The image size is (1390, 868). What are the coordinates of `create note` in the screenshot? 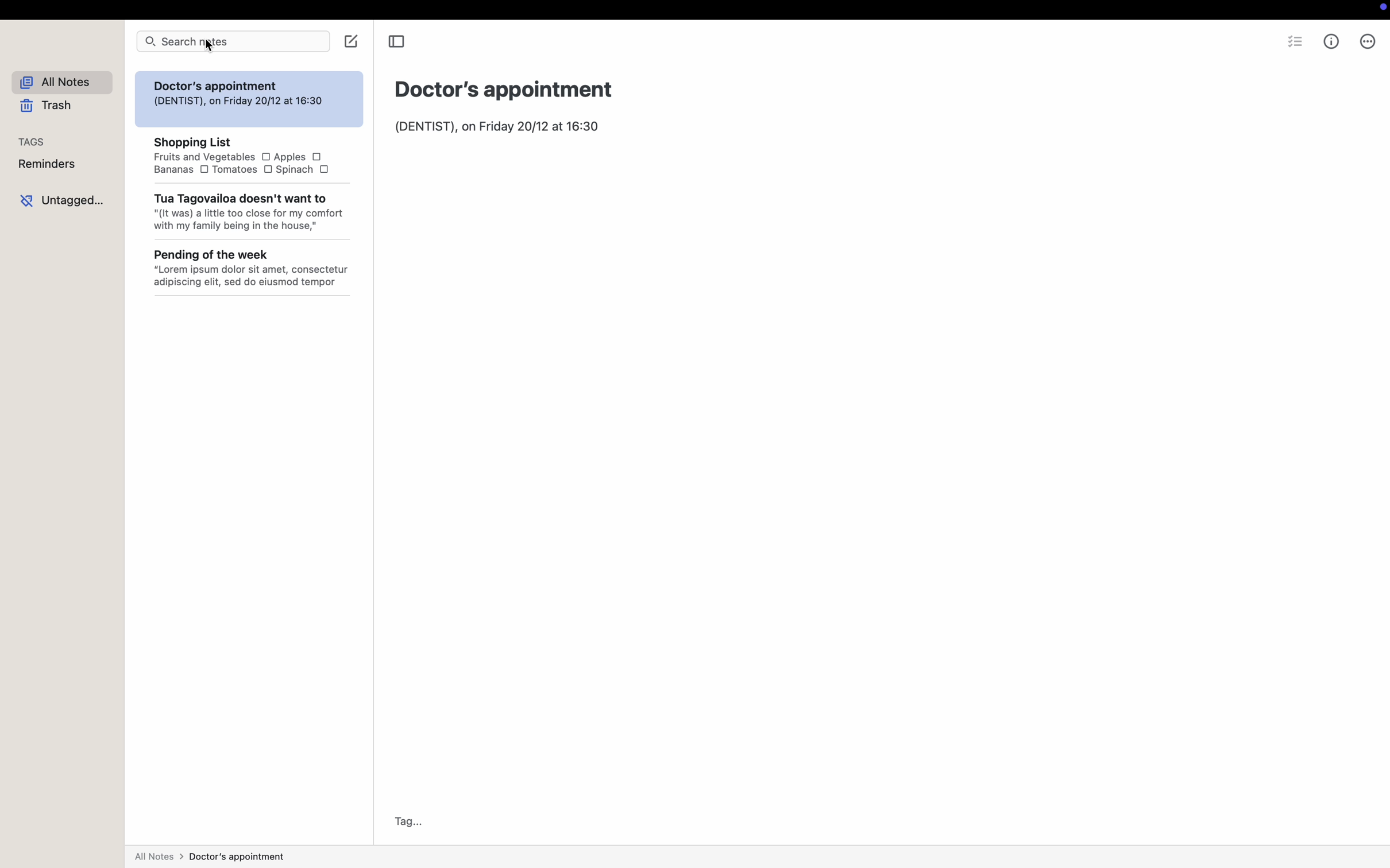 It's located at (352, 41).